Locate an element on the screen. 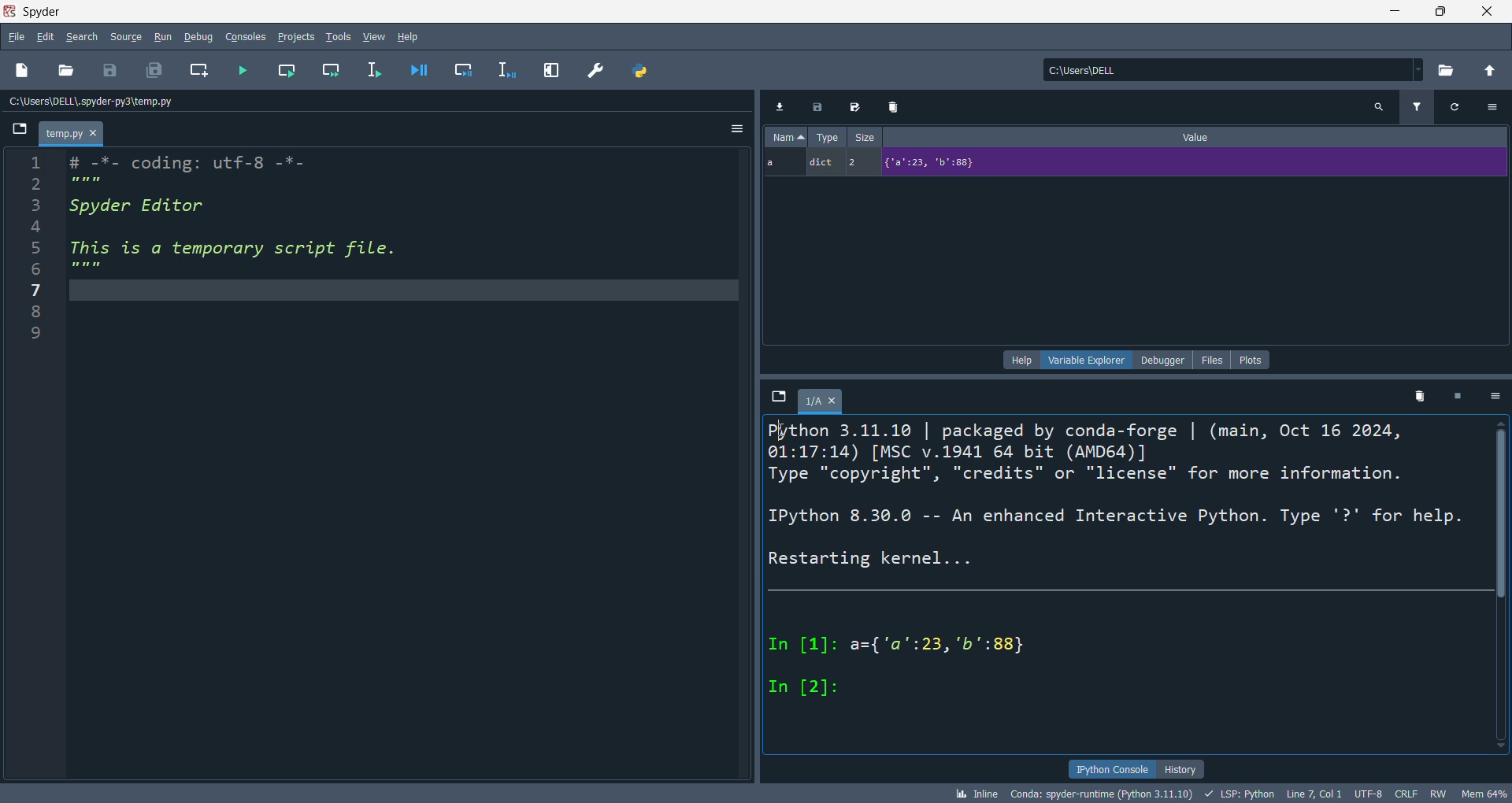  explore tabs is located at coordinates (779, 398).